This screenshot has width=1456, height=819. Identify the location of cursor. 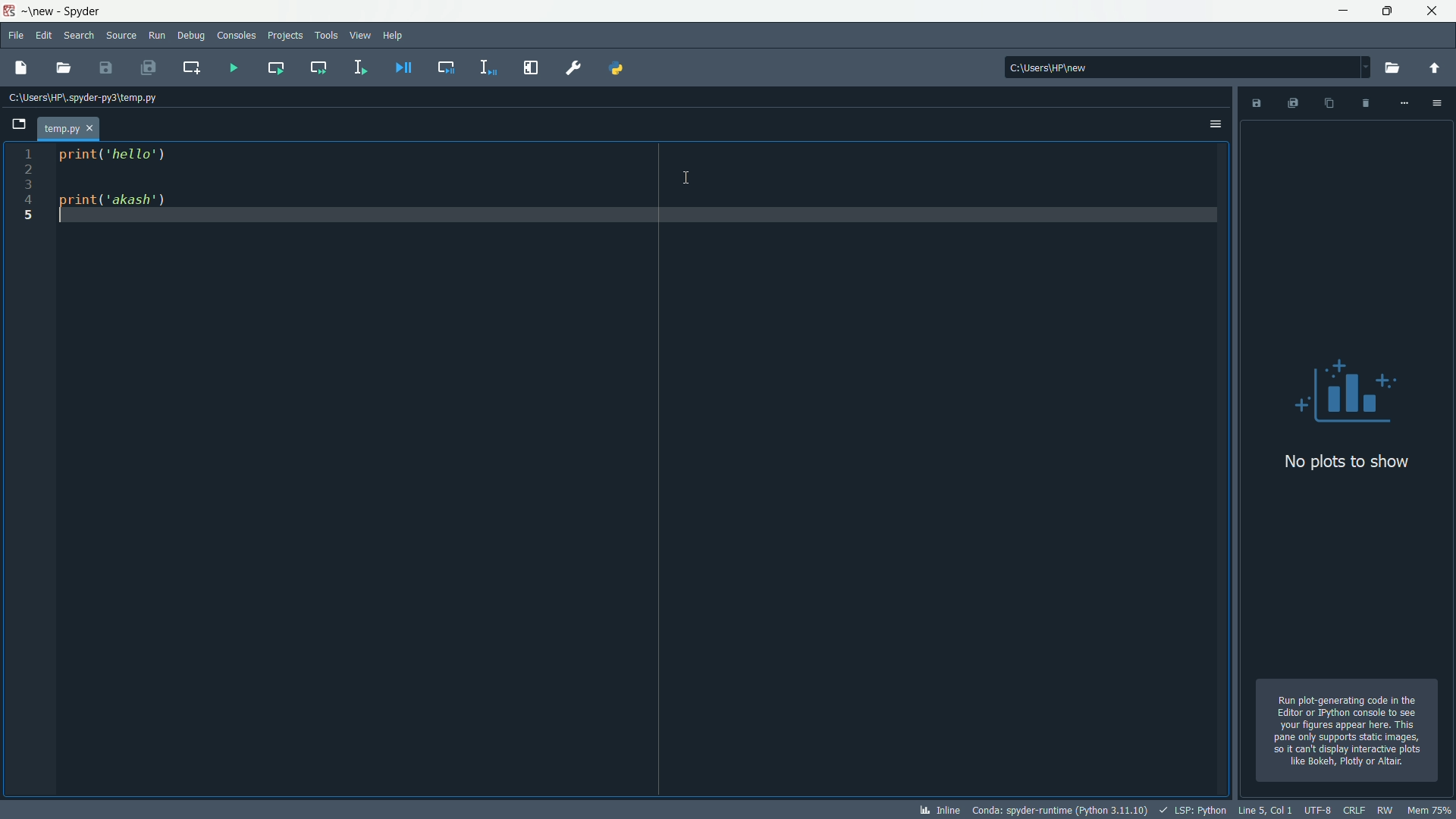
(684, 174).